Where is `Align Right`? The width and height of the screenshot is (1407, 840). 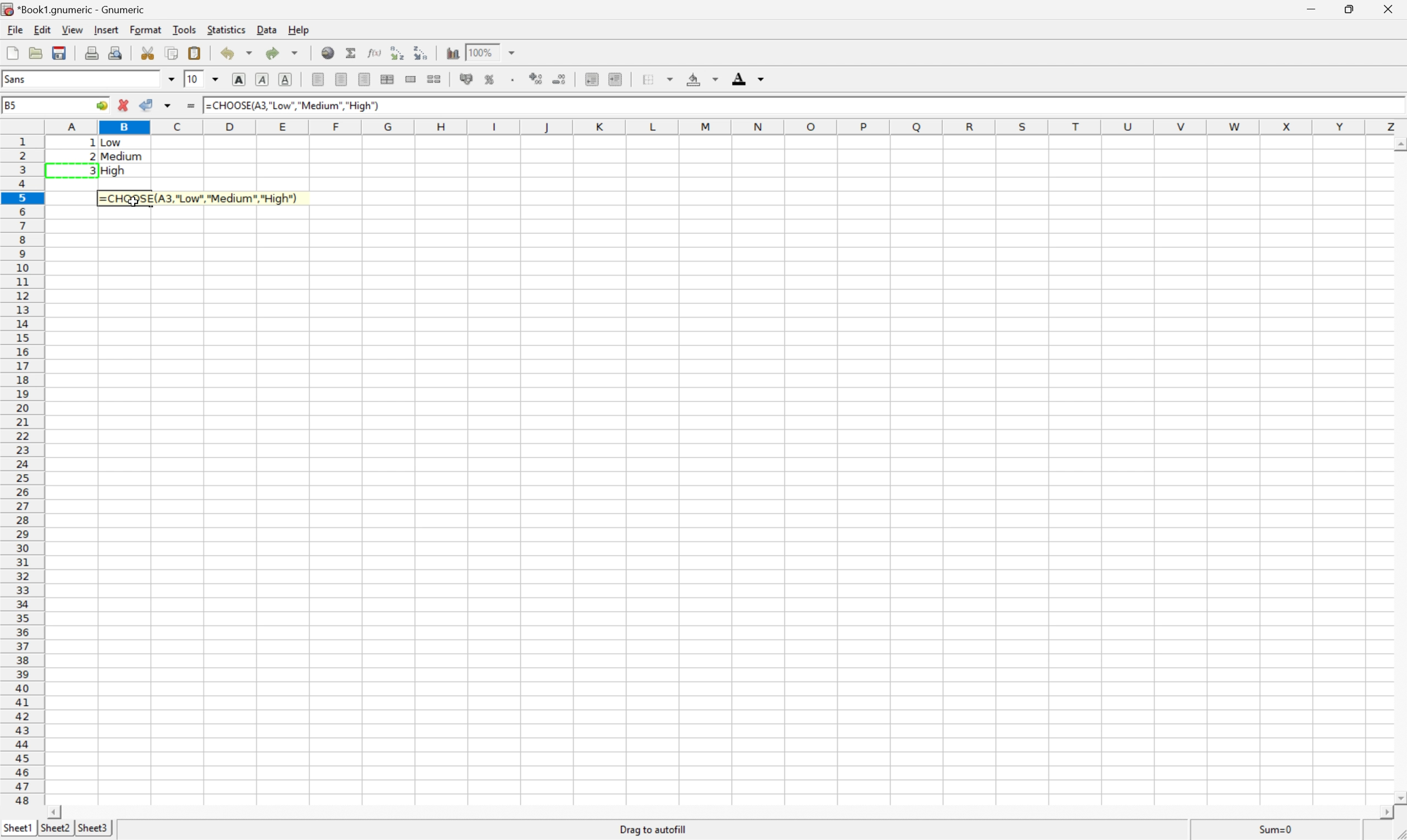
Align Right is located at coordinates (365, 80).